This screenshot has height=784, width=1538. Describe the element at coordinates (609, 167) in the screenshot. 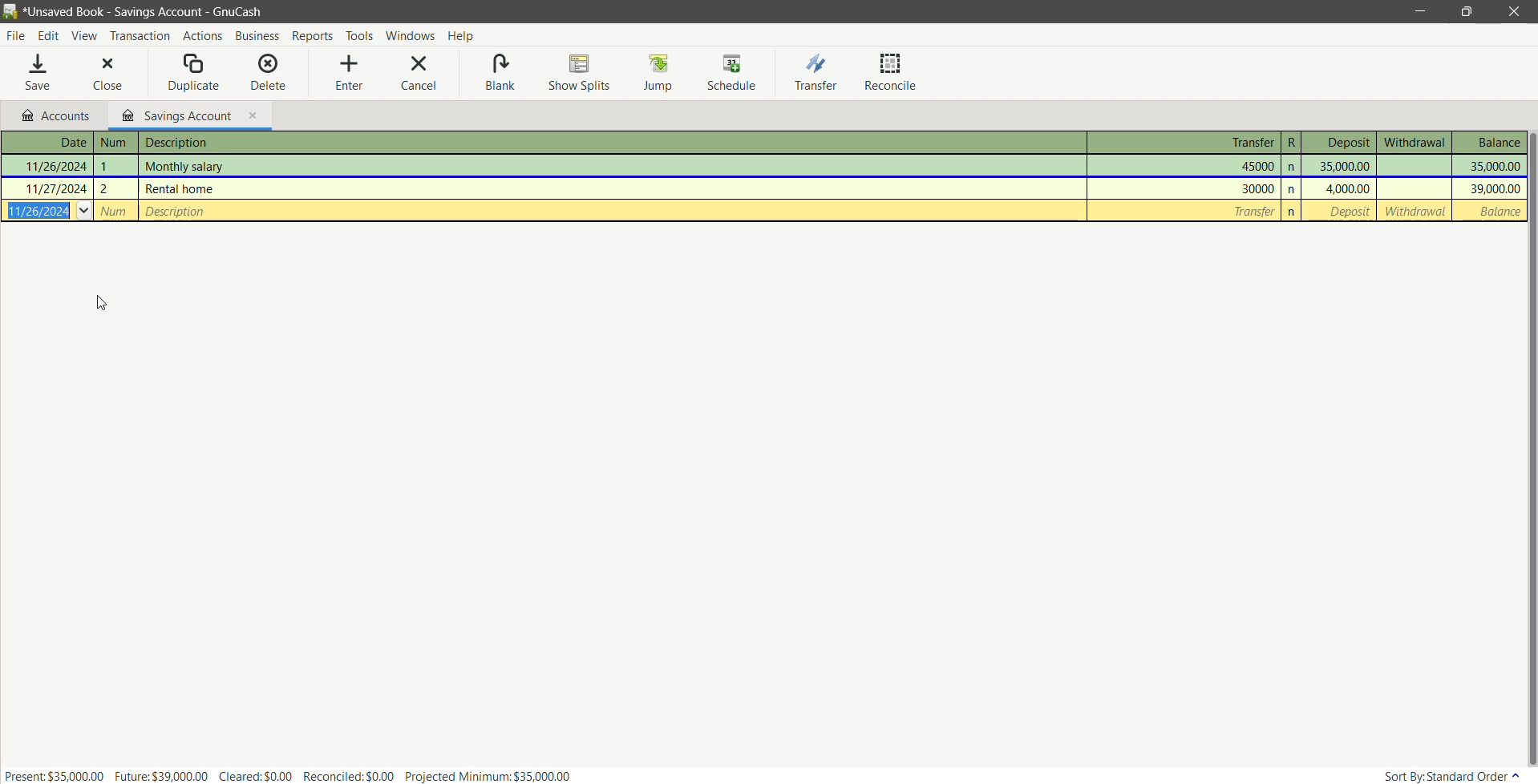

I see `Monthly salary` at that location.